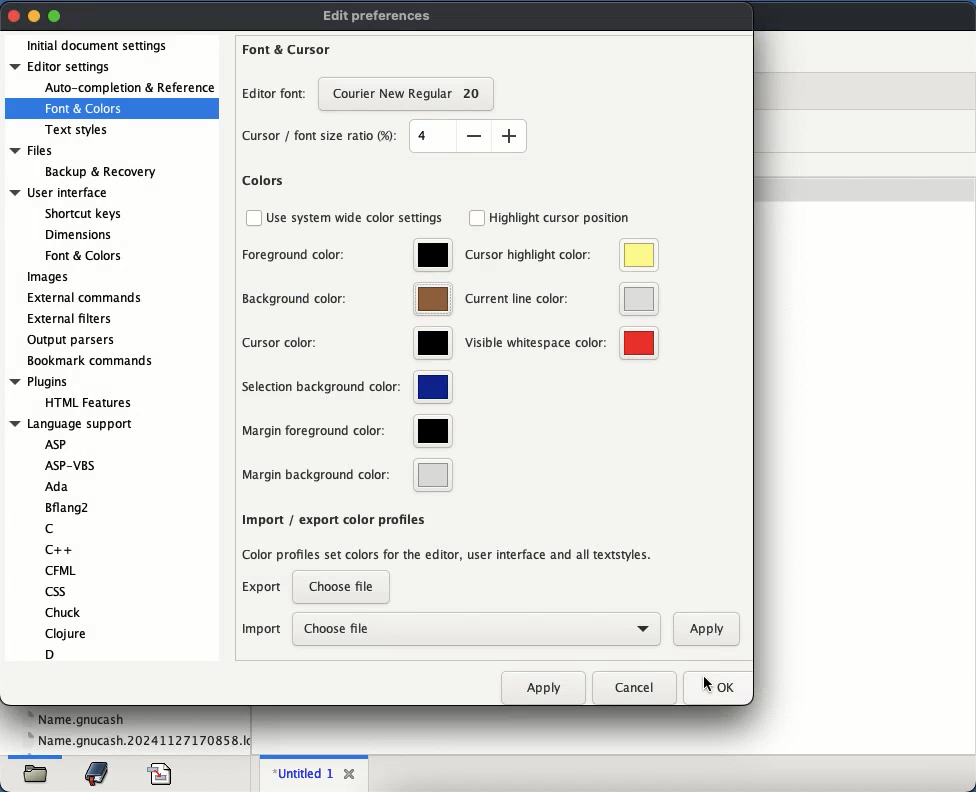 The image size is (976, 792). What do you see at coordinates (381, 14) in the screenshot?
I see `edit preferences` at bounding box center [381, 14].